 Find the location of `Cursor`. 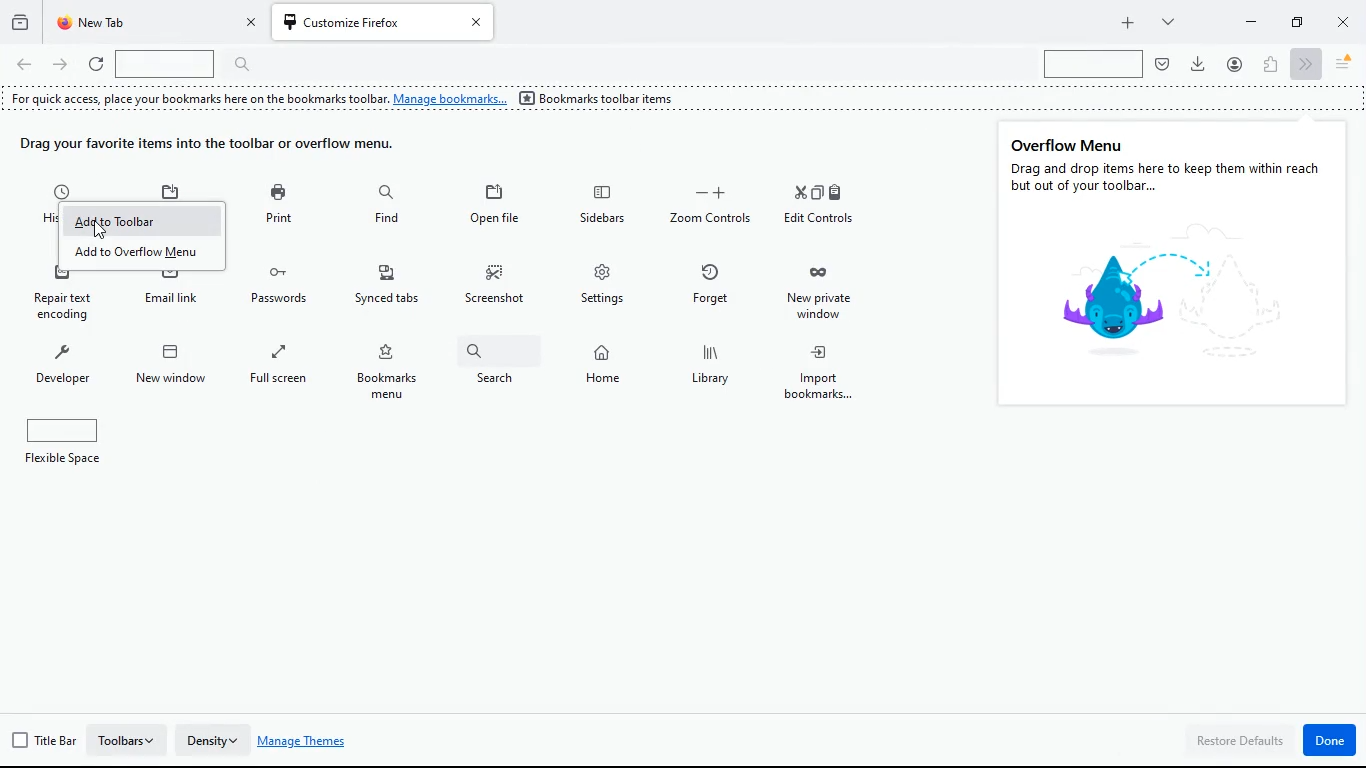

Cursor is located at coordinates (101, 230).